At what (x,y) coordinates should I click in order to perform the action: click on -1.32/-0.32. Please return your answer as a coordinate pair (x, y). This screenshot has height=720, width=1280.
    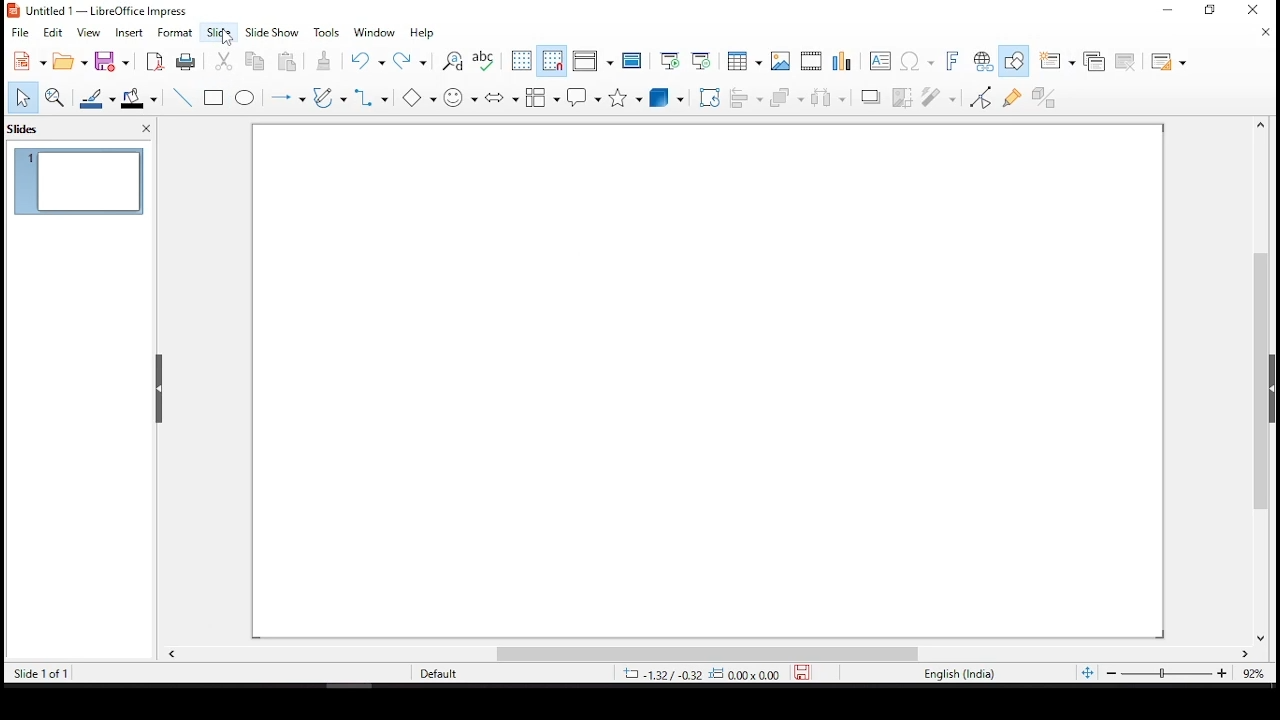
    Looking at the image, I should click on (660, 674).